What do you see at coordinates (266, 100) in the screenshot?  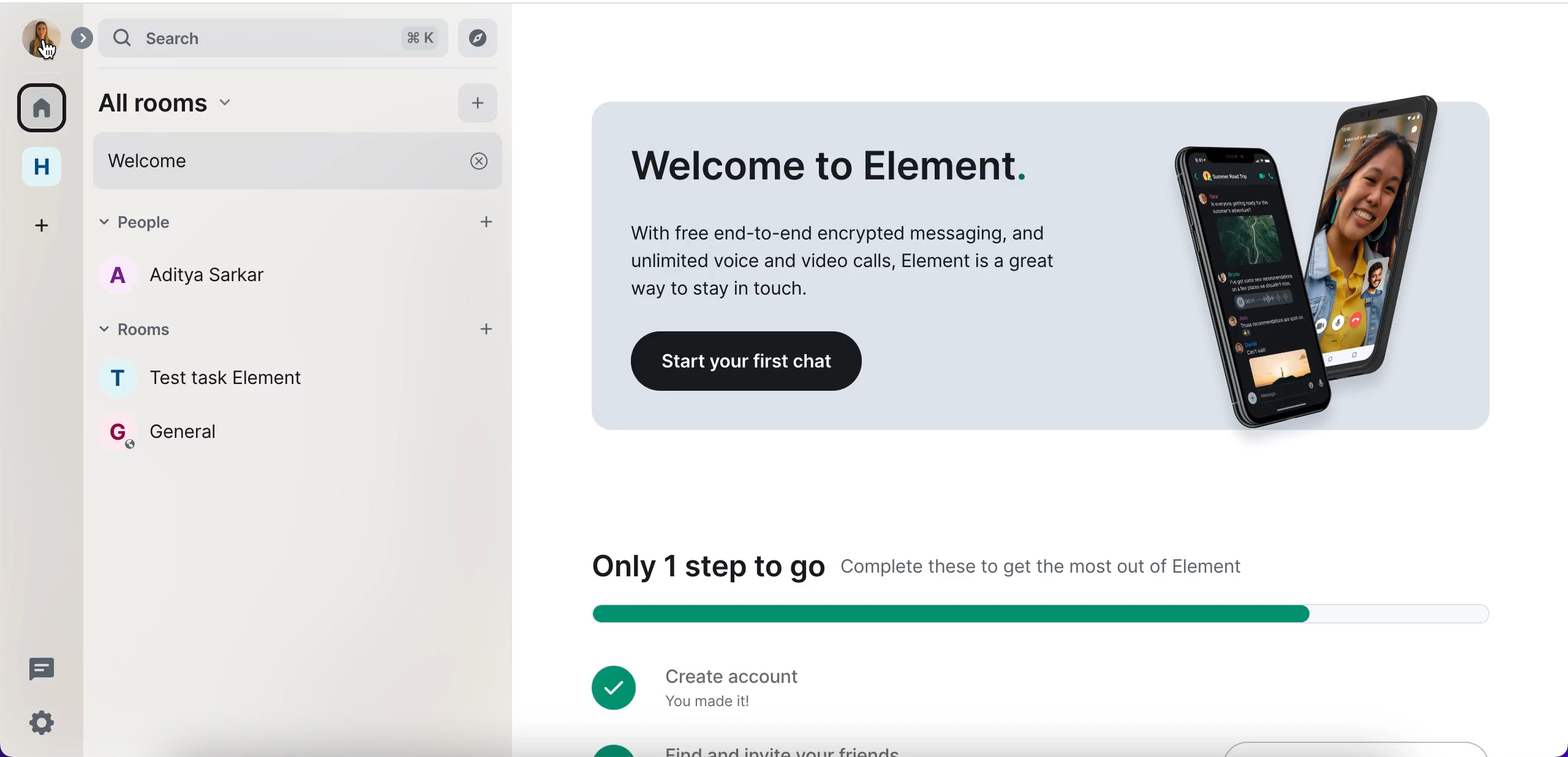 I see `all rooms` at bounding box center [266, 100].